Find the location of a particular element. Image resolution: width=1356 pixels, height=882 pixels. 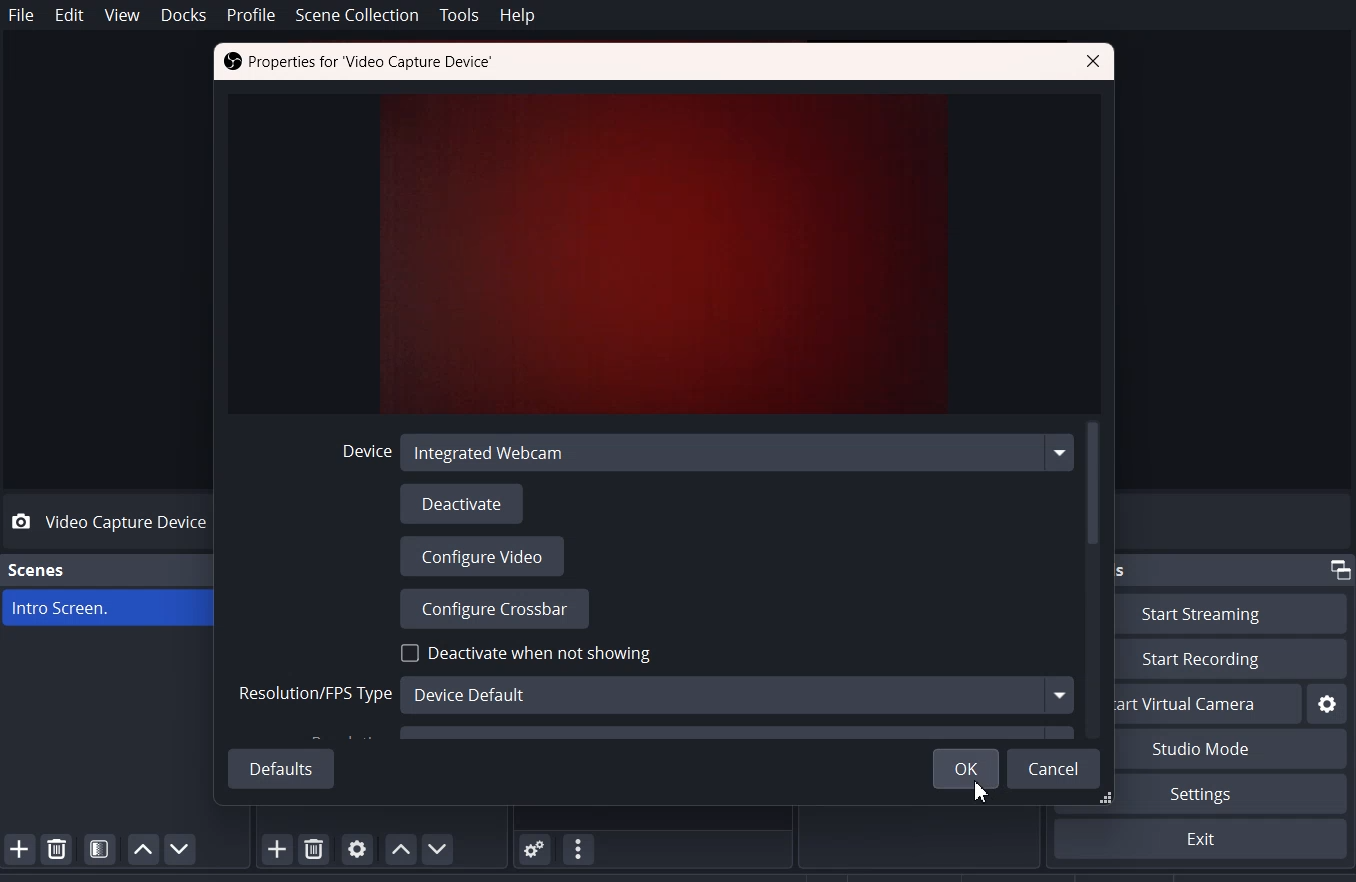

Open source Properties is located at coordinates (357, 849).